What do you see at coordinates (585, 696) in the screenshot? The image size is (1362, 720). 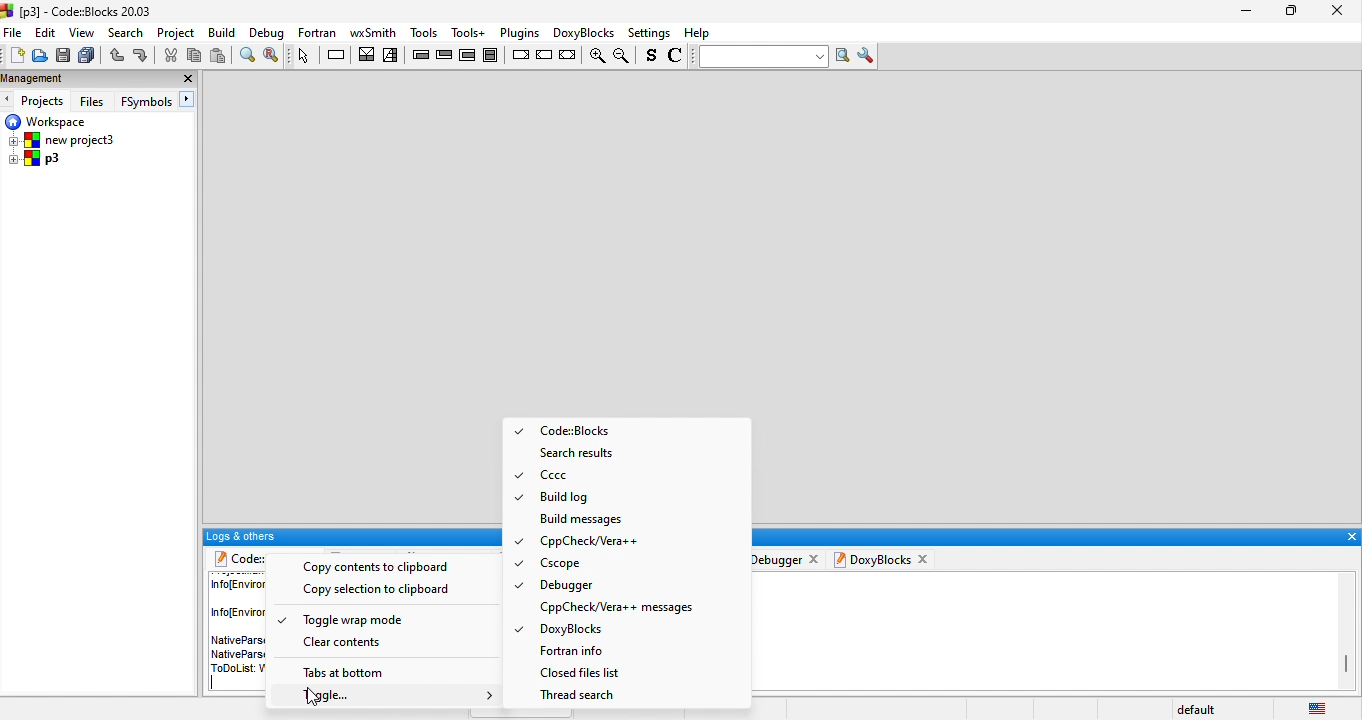 I see `thread search` at bounding box center [585, 696].